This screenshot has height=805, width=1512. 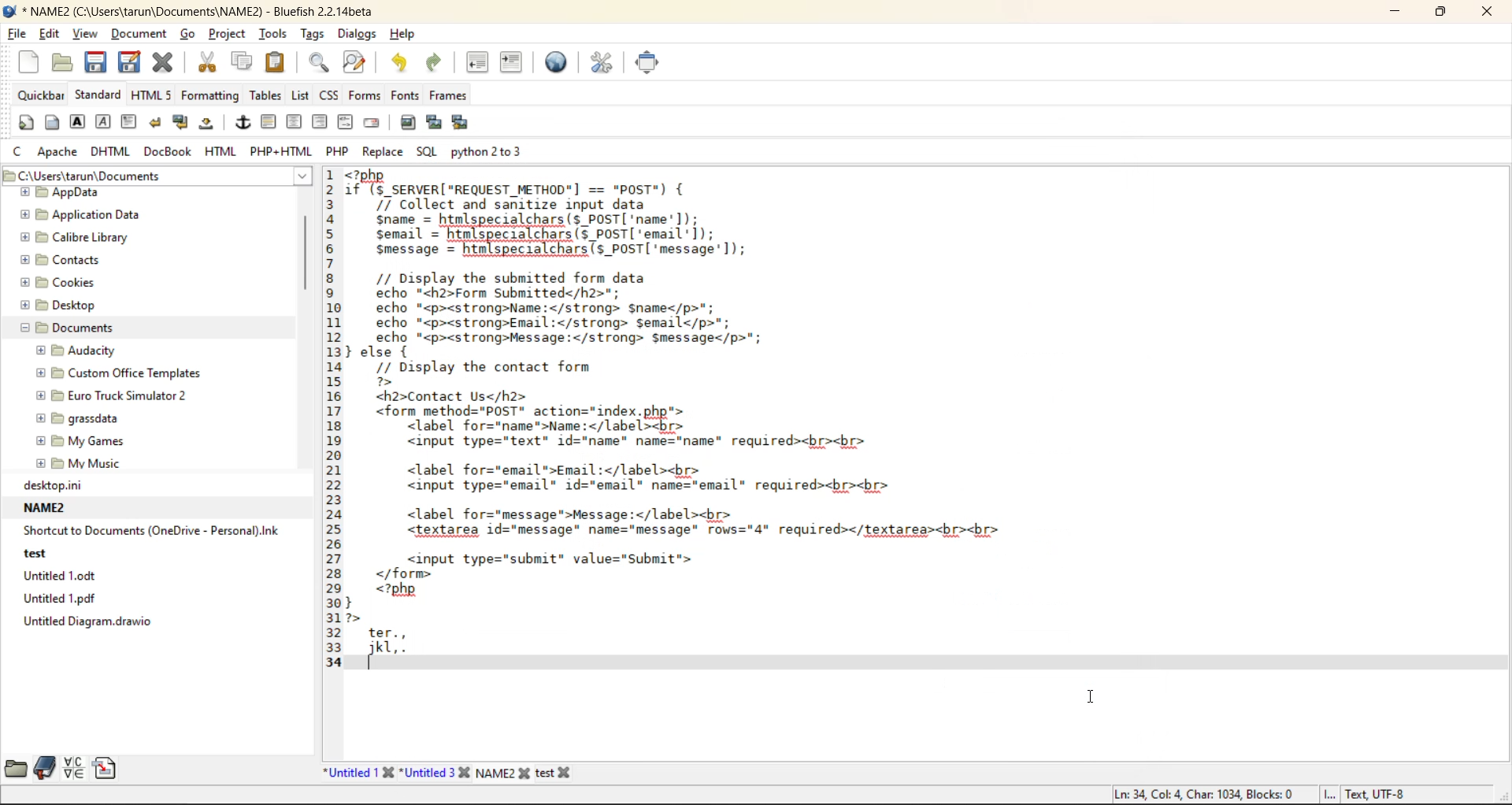 I want to click on copy, so click(x=244, y=62).